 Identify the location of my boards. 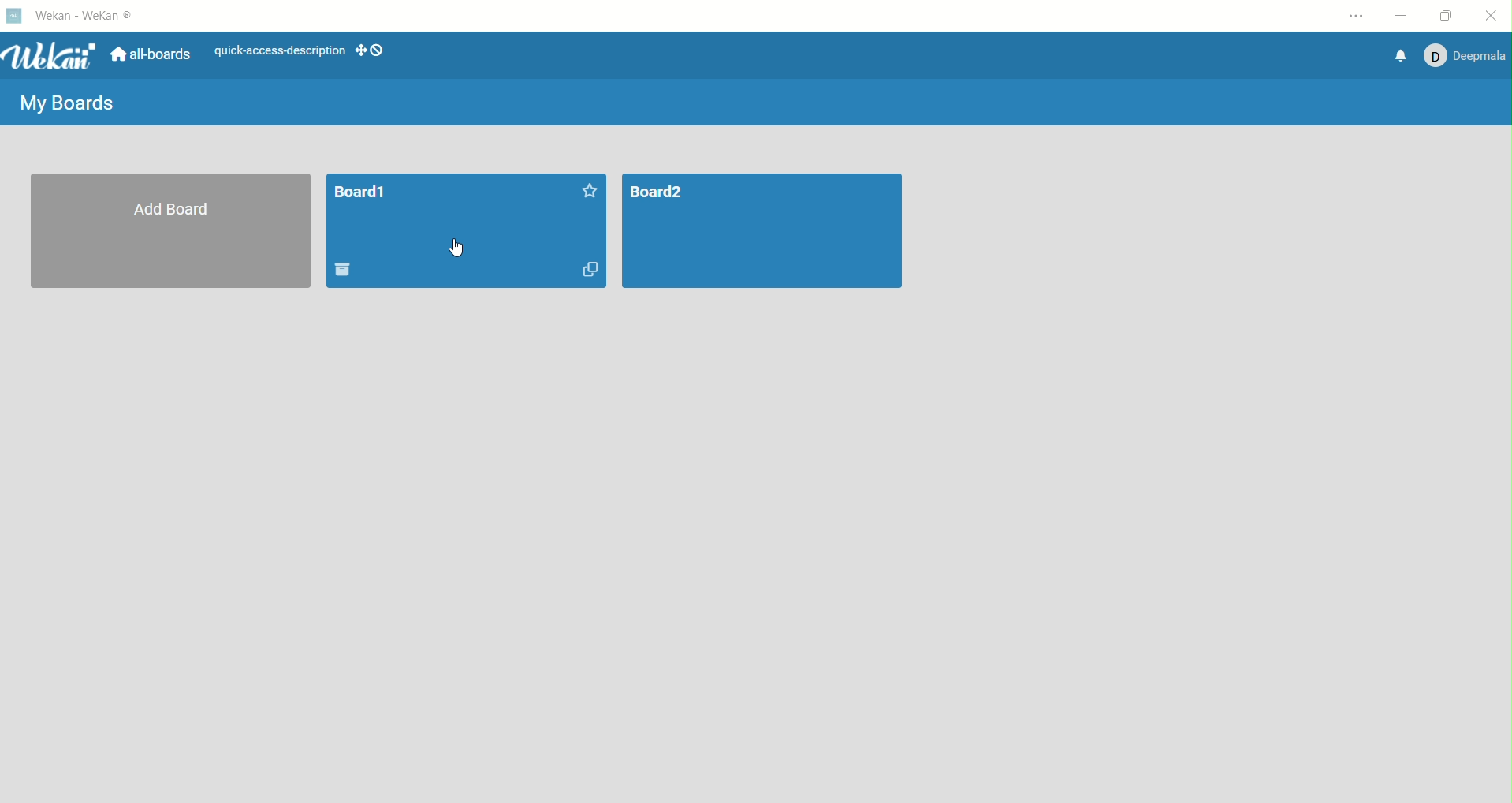
(68, 107).